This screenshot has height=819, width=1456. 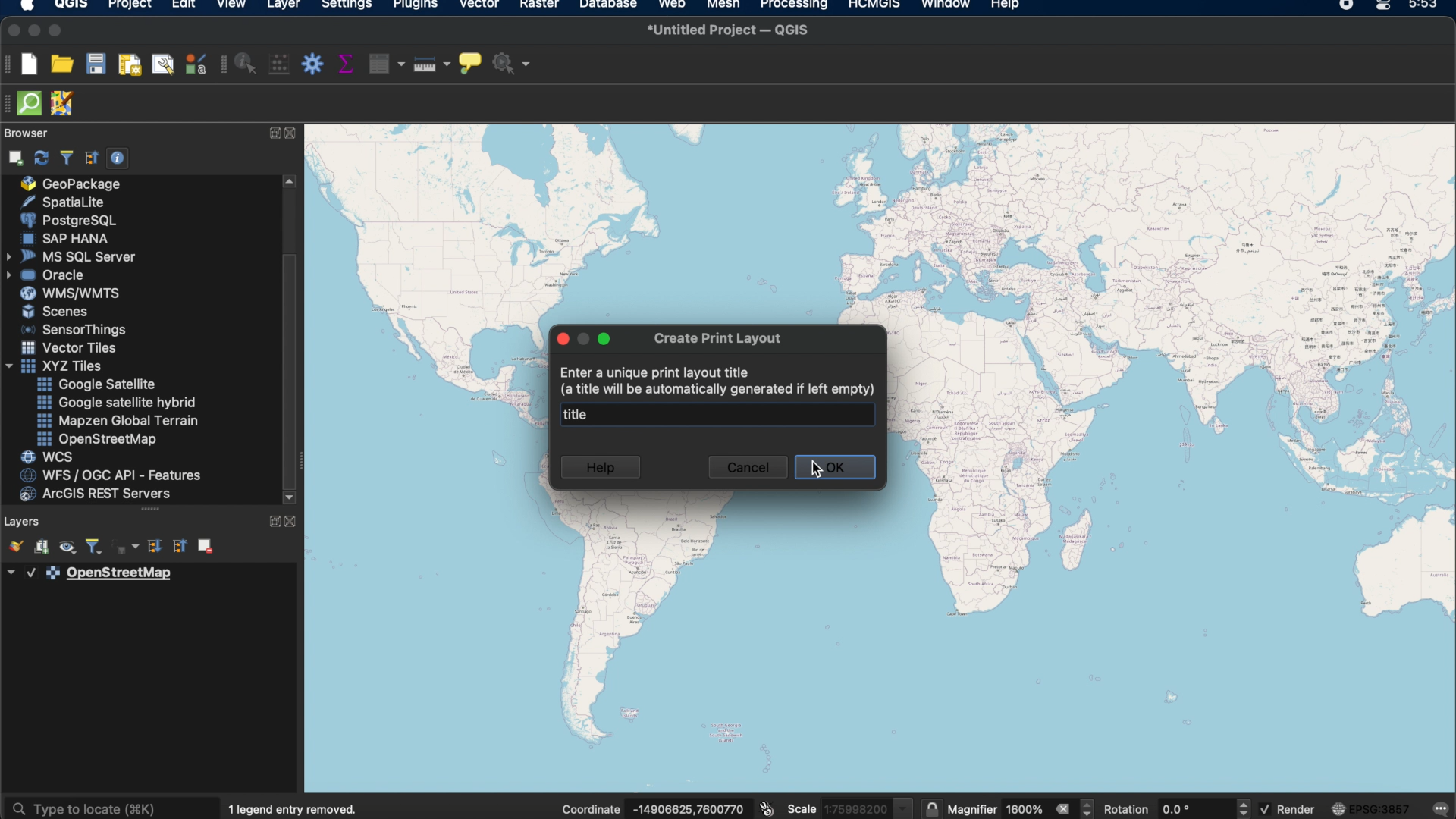 I want to click on HCMGIS, so click(x=874, y=6).